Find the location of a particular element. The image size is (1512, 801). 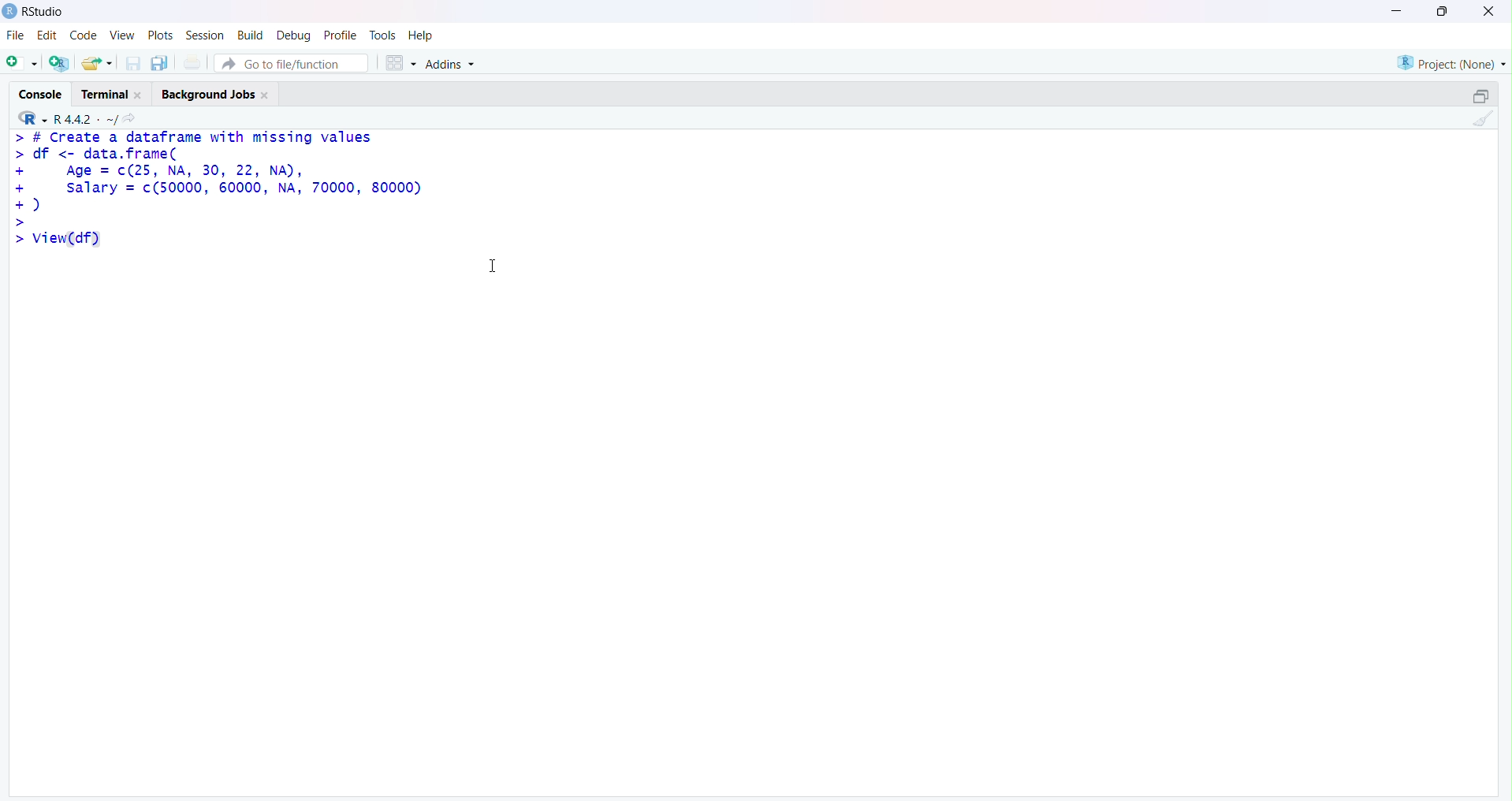

Background Jobs is located at coordinates (215, 92).